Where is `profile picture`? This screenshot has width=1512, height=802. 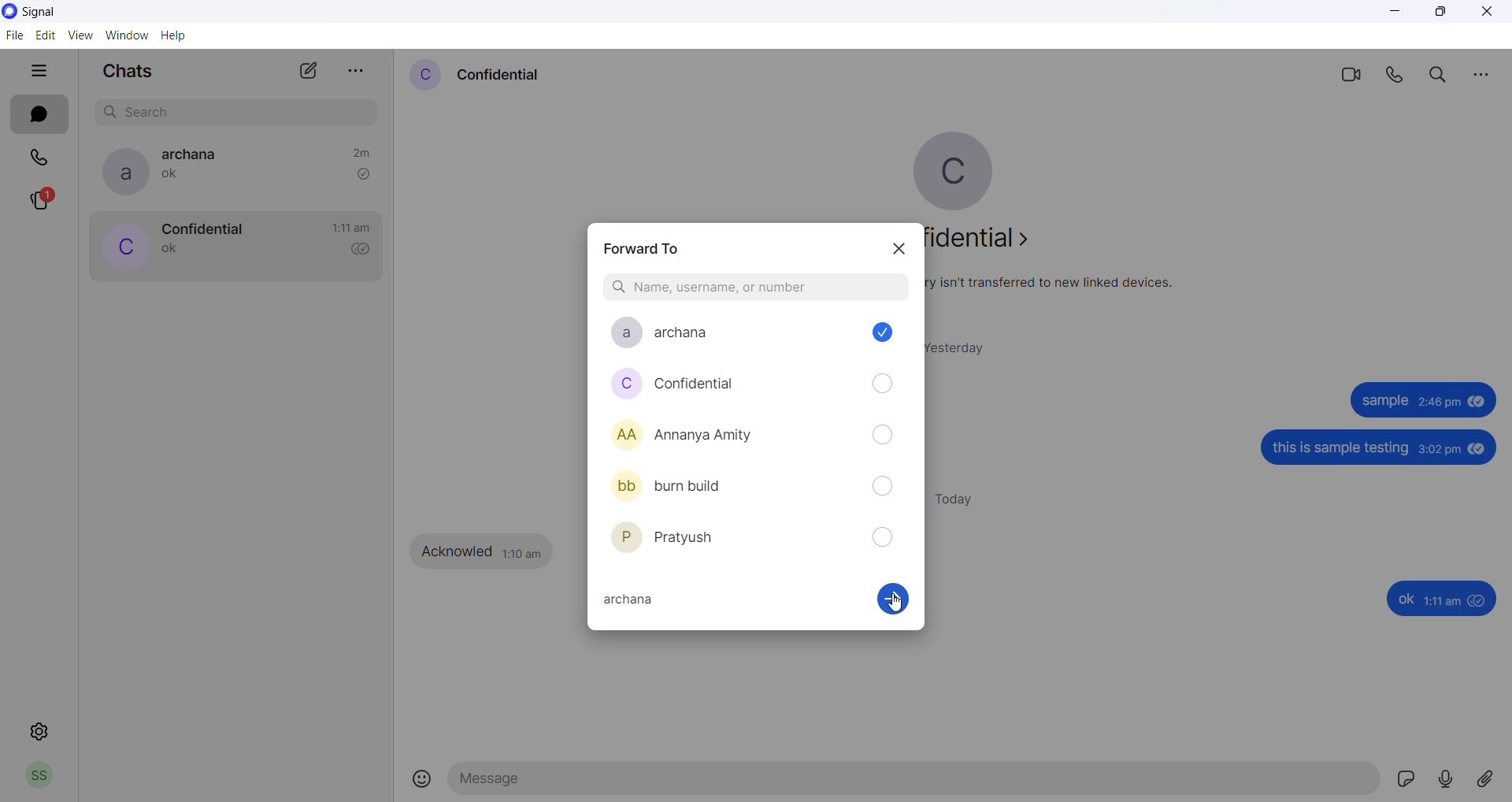 profile picture is located at coordinates (965, 171).